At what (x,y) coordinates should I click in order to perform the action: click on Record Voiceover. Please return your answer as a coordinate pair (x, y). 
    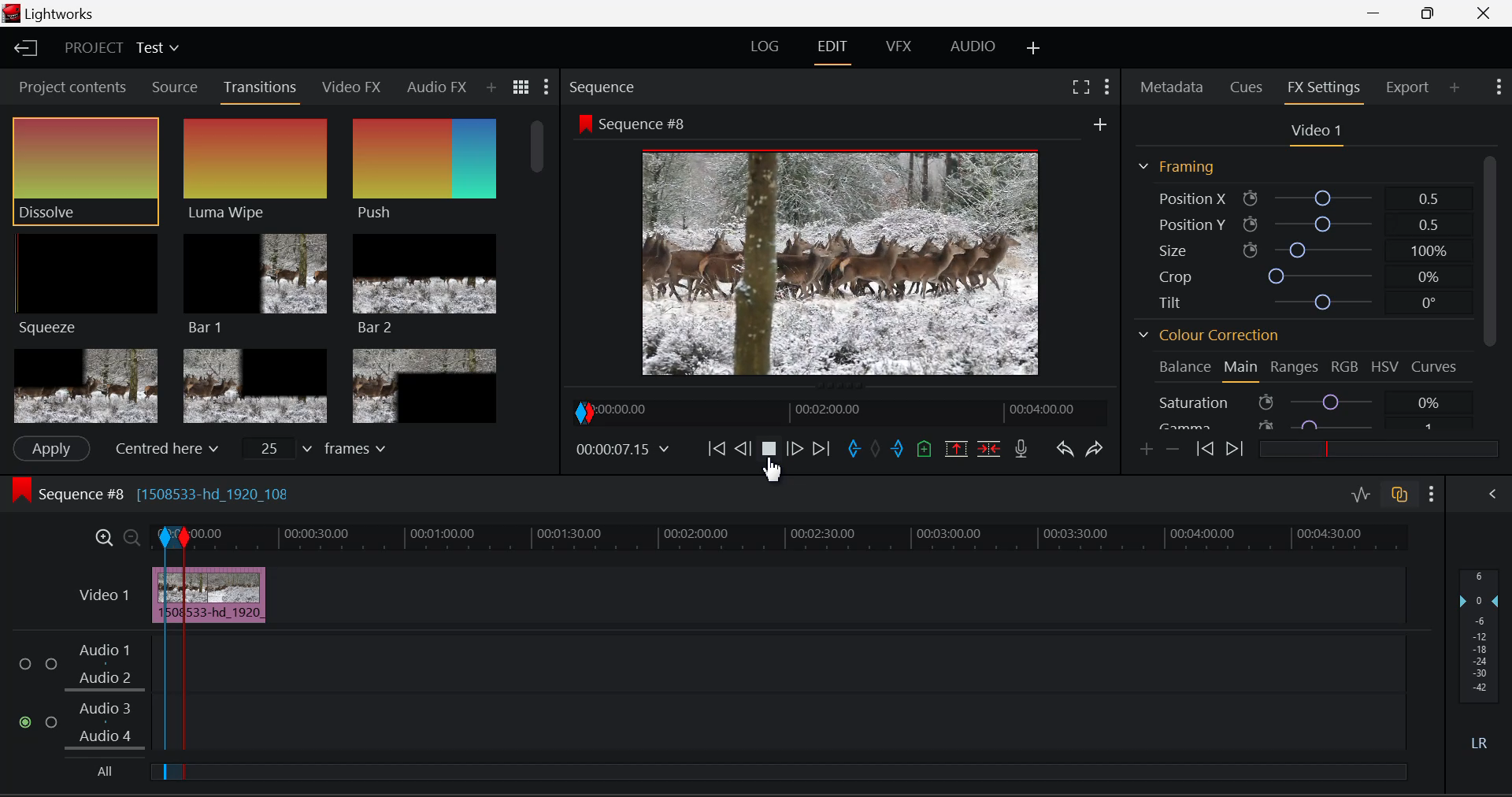
    Looking at the image, I should click on (1022, 449).